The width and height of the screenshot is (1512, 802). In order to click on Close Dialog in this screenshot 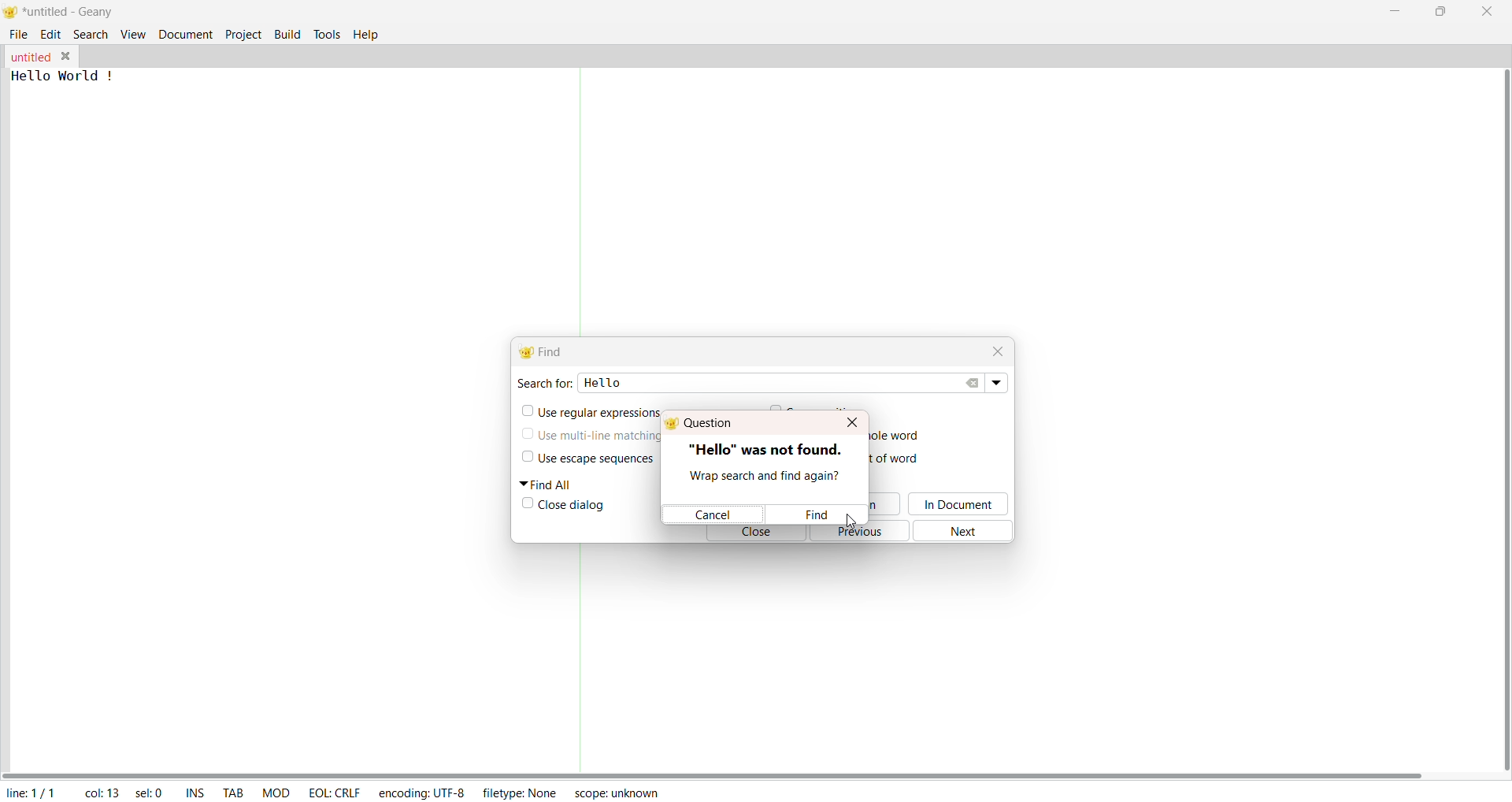, I will do `click(575, 507)`.